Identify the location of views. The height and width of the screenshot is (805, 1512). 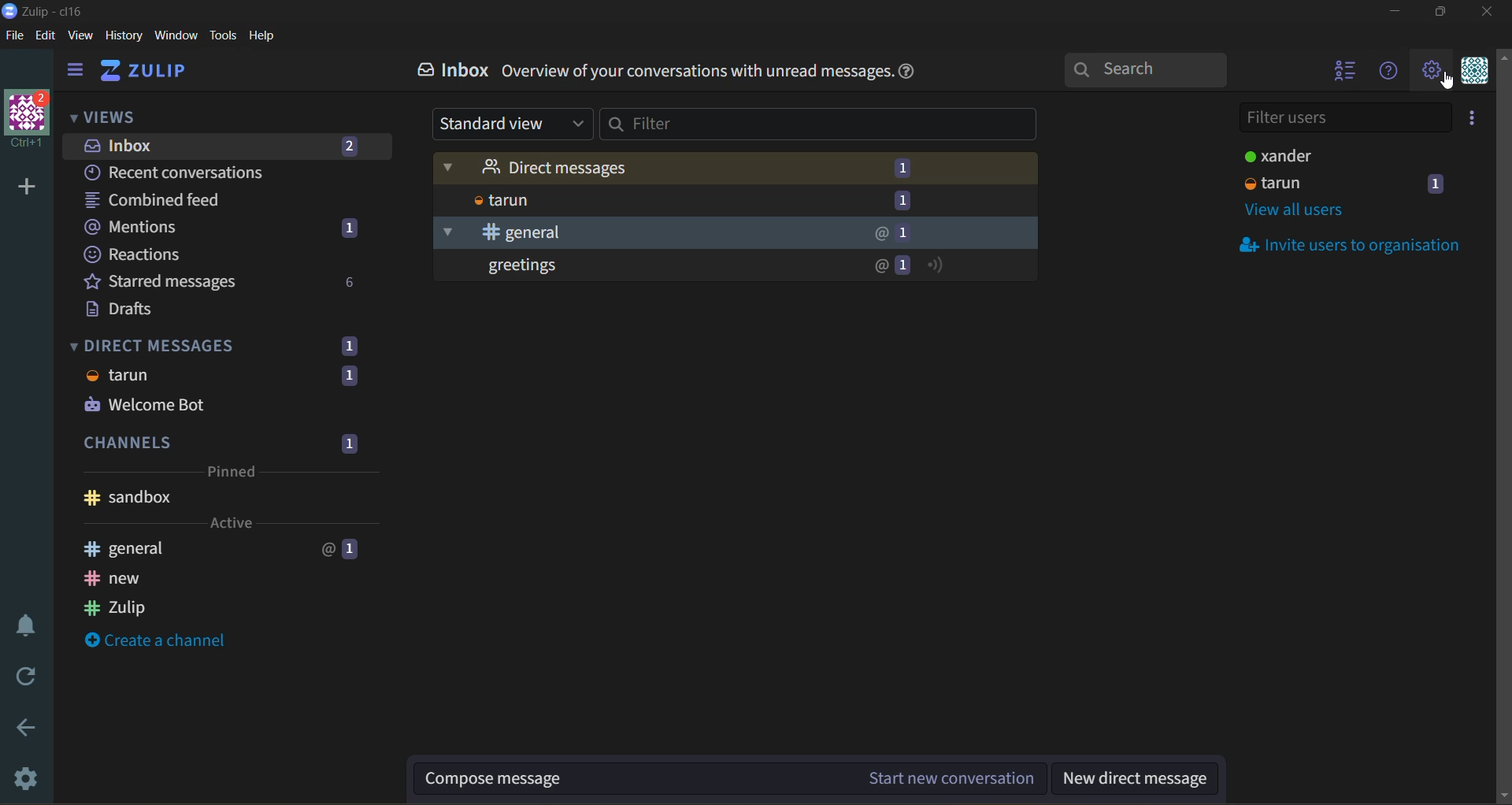
(209, 120).